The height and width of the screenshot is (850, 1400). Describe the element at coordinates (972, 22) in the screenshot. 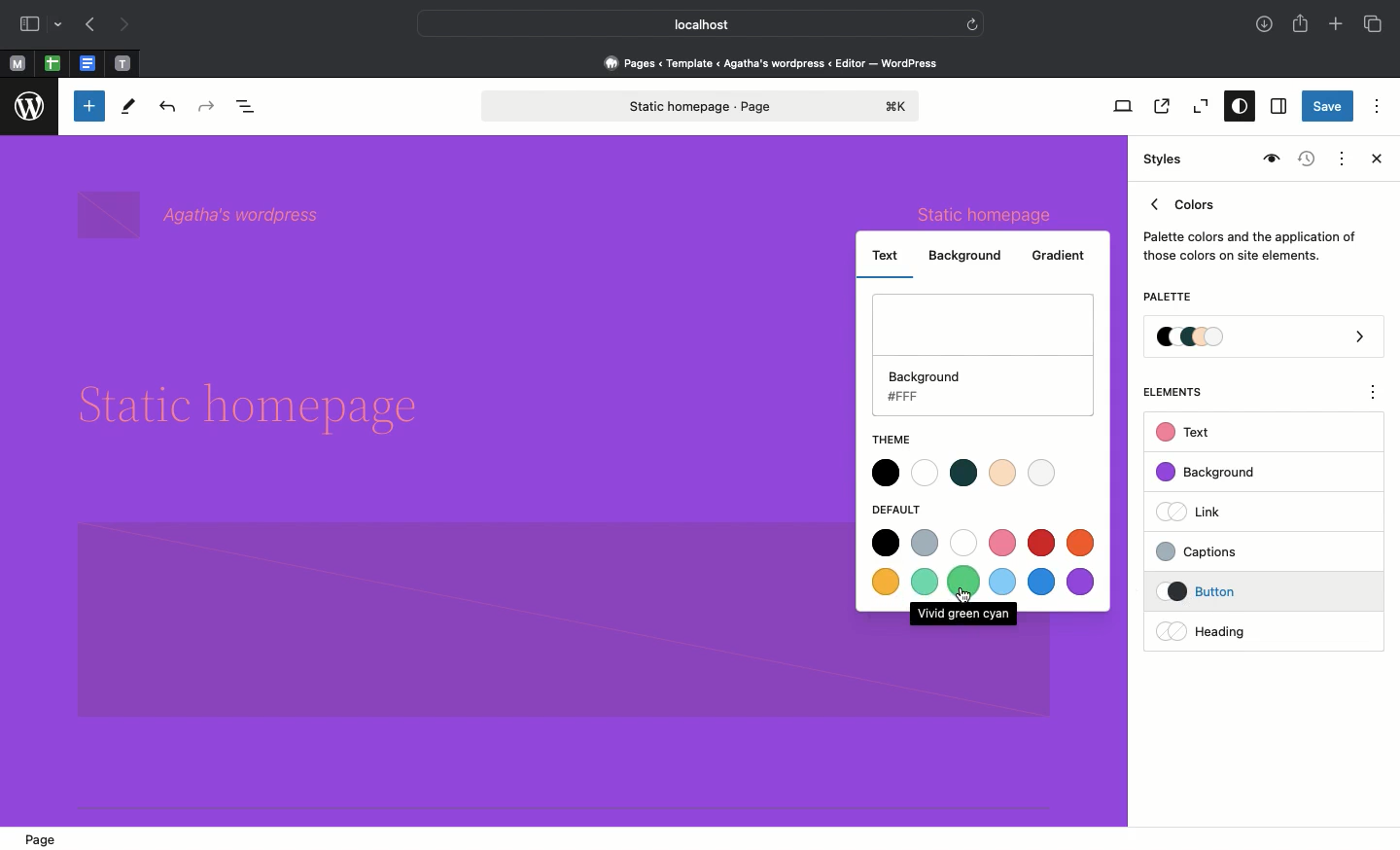

I see `refresh` at that location.